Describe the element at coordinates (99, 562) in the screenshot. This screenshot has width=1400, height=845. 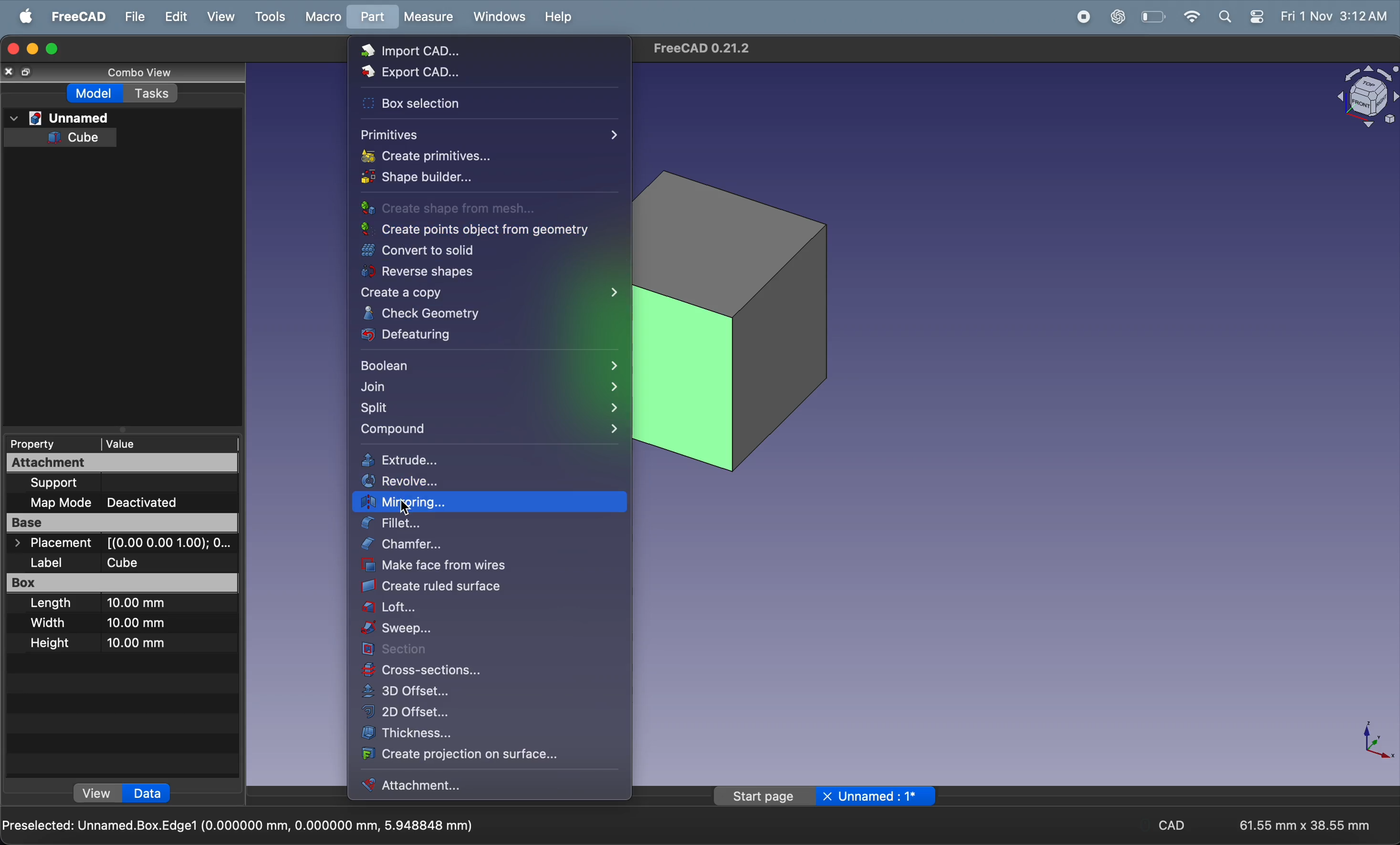
I see `Label     Cube` at that location.